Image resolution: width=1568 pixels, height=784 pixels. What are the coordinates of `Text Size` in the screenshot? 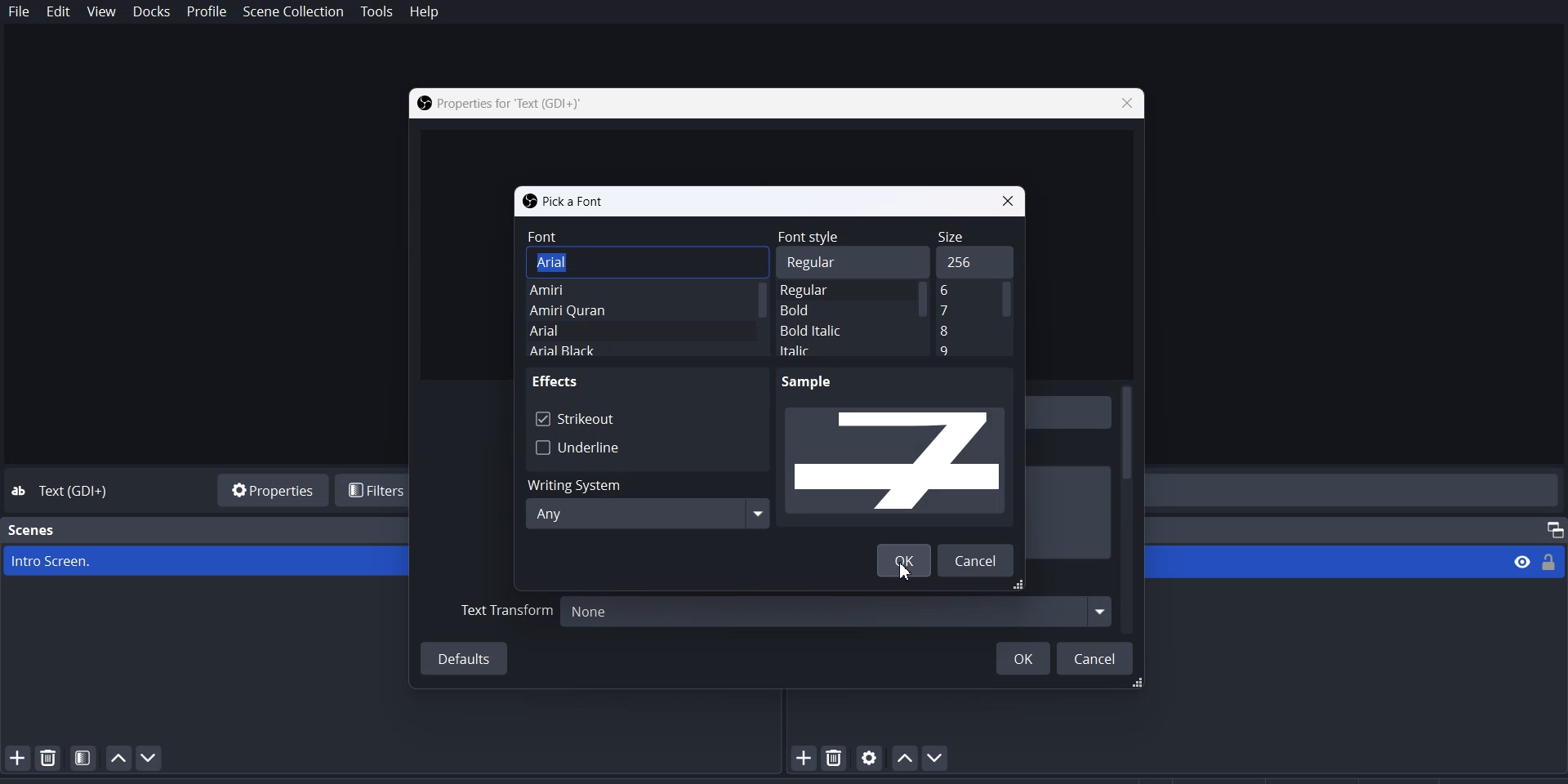 It's located at (965, 292).